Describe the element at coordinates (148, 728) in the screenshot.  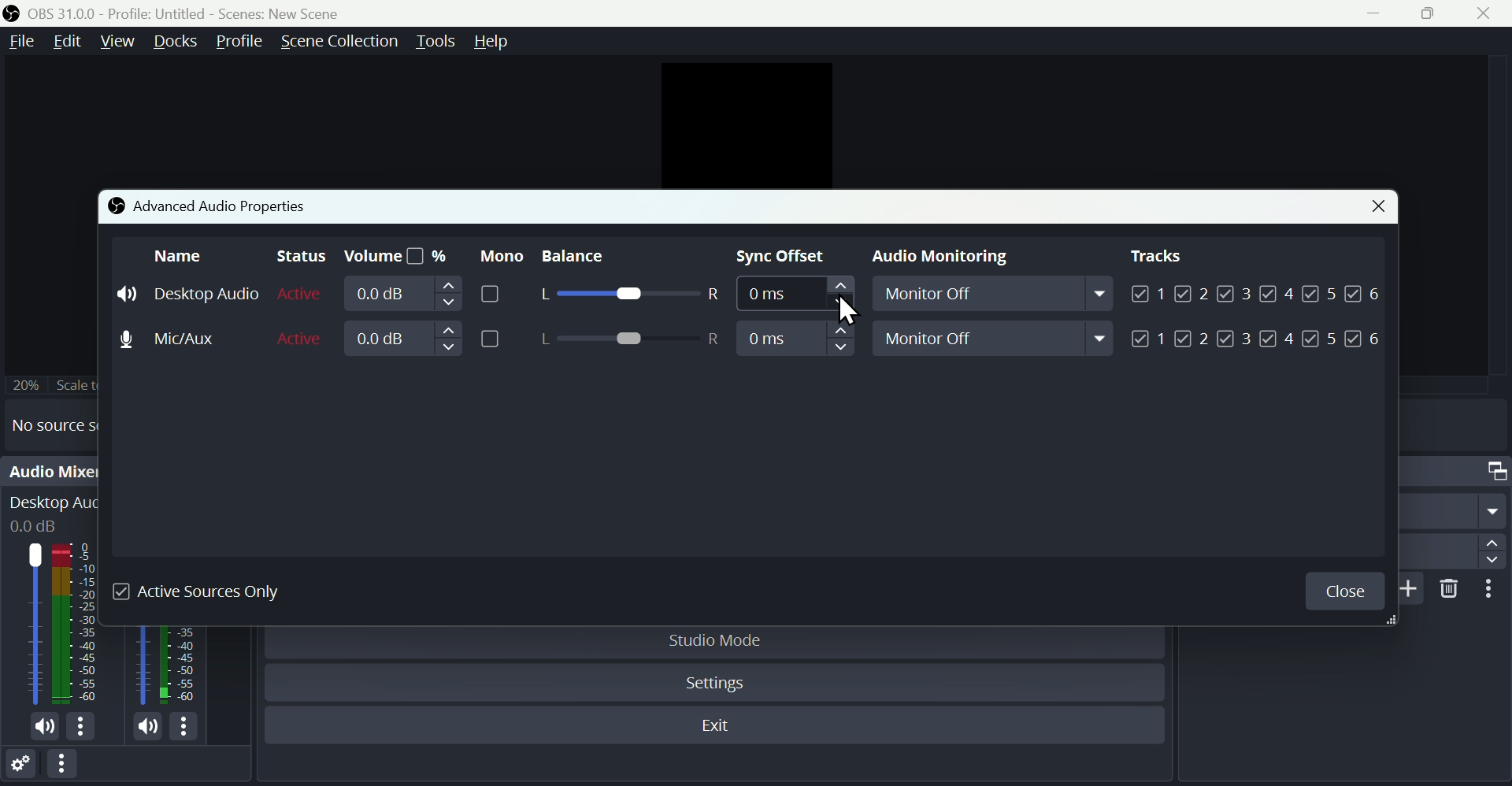
I see `(un)mute` at that location.